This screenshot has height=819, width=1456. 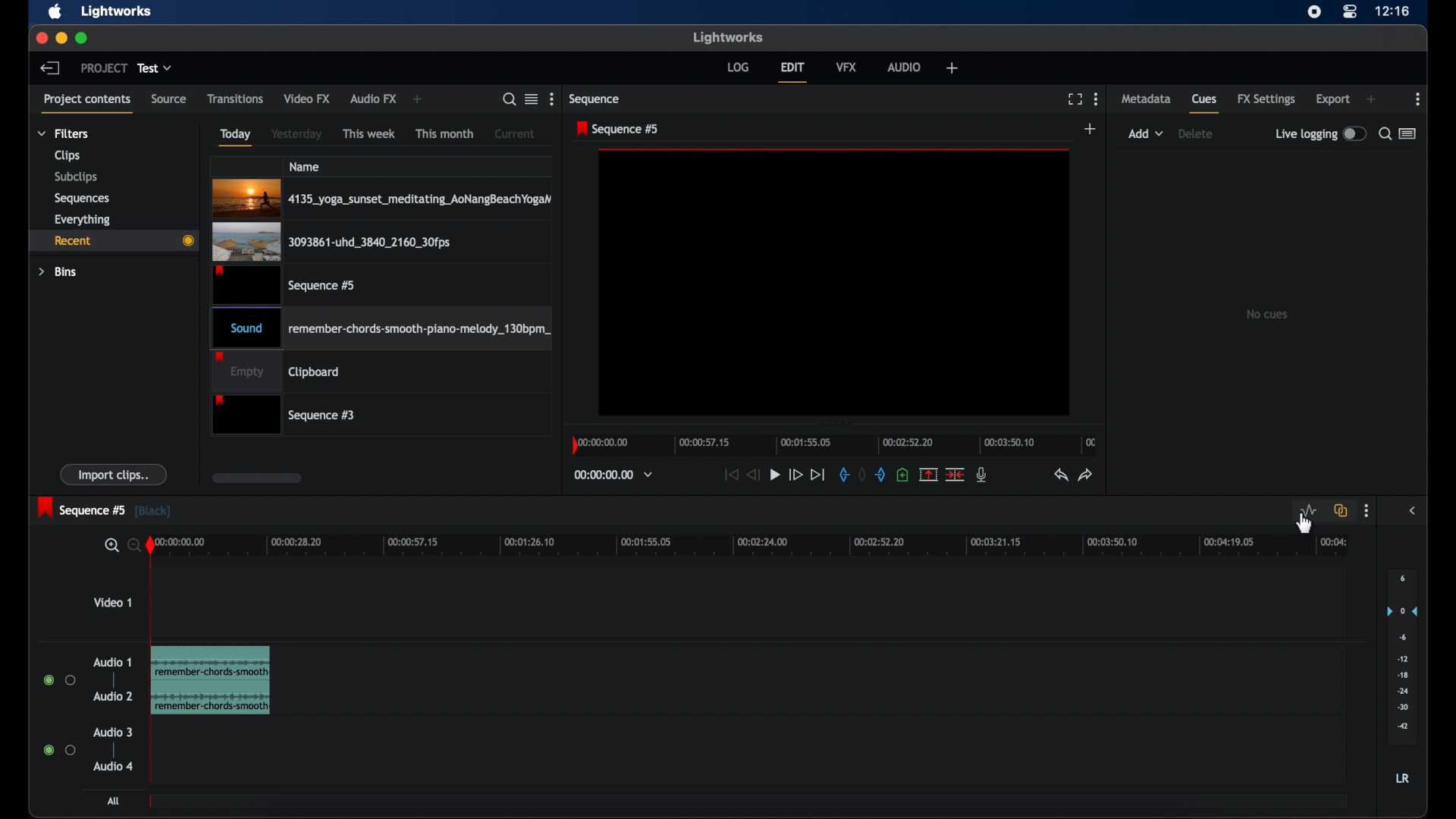 What do you see at coordinates (391, 195) in the screenshot?
I see `4135_yoga_sunset_meditating_AoNangBeachYogaN` at bounding box center [391, 195].